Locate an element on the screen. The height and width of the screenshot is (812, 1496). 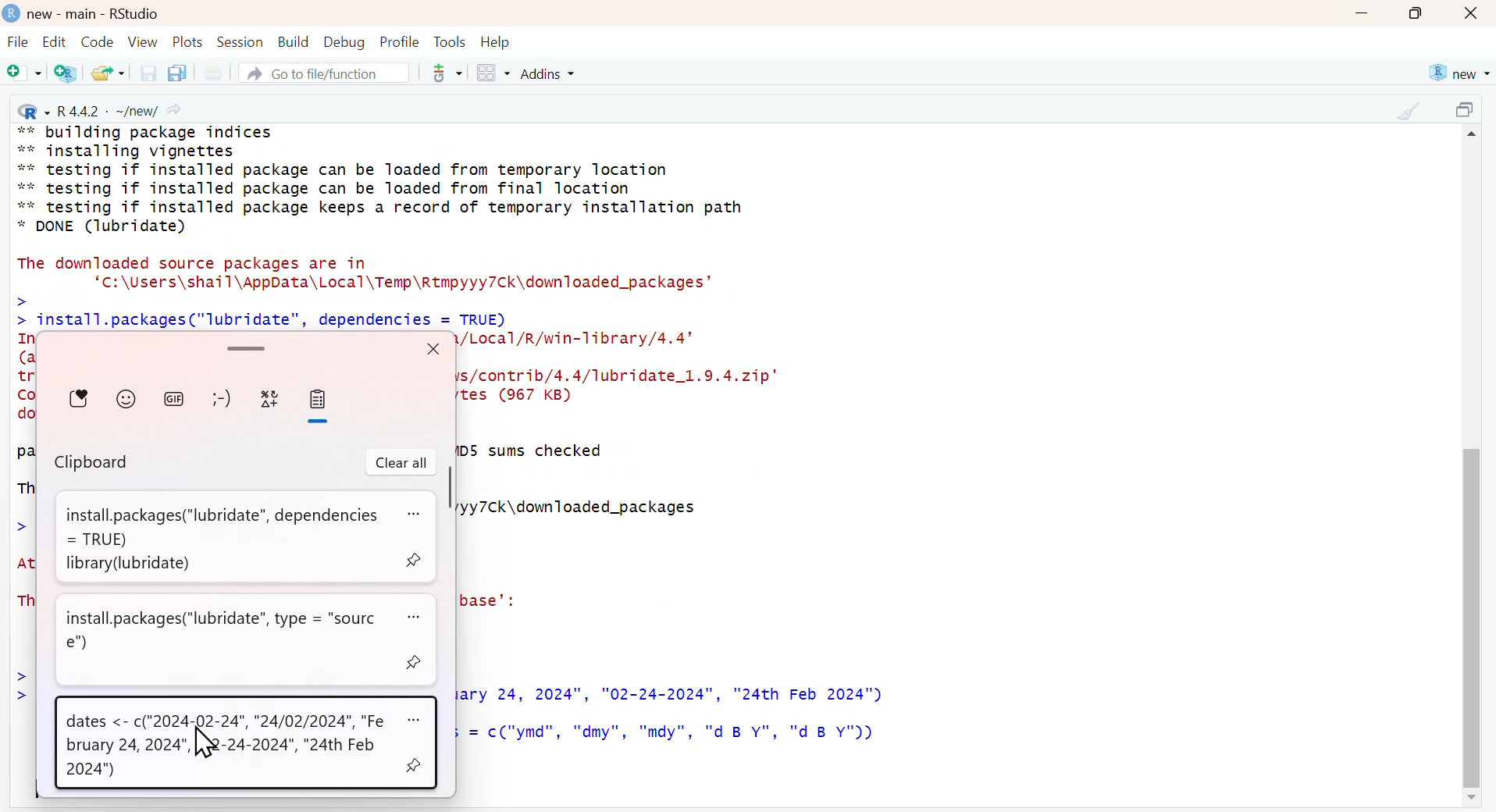
open an existing file is located at coordinates (107, 72).